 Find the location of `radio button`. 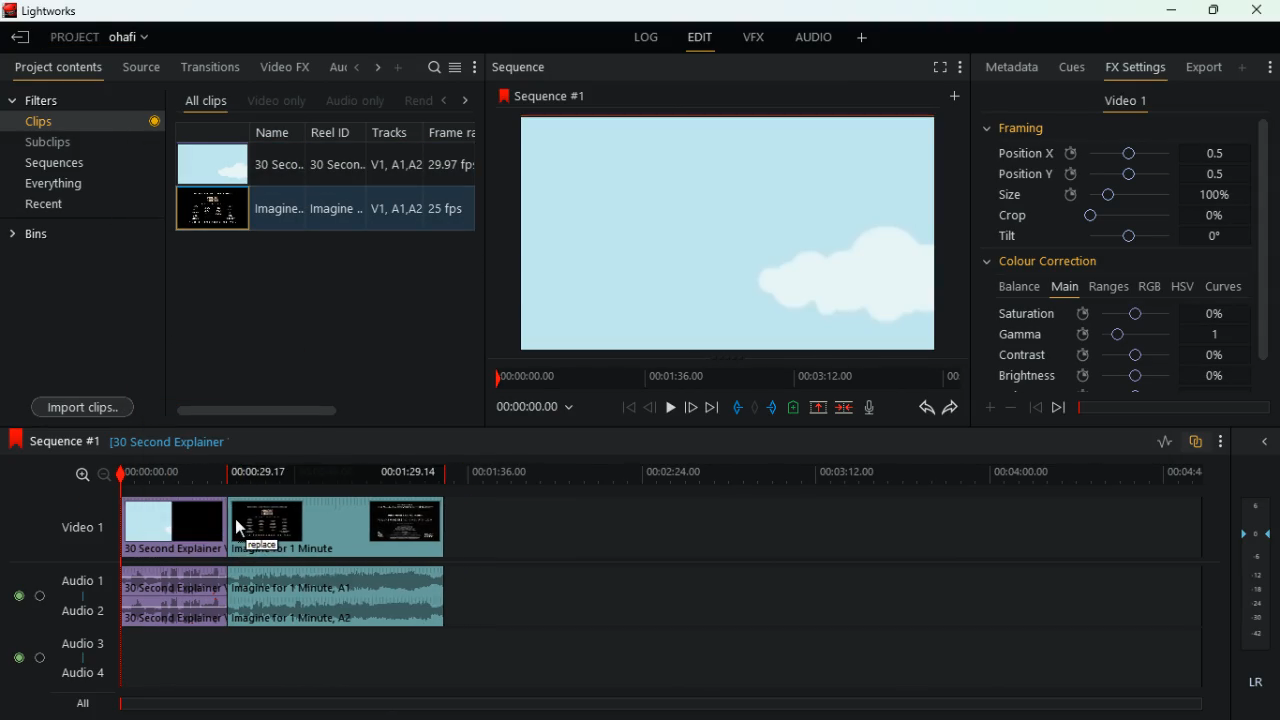

radio button is located at coordinates (25, 621).